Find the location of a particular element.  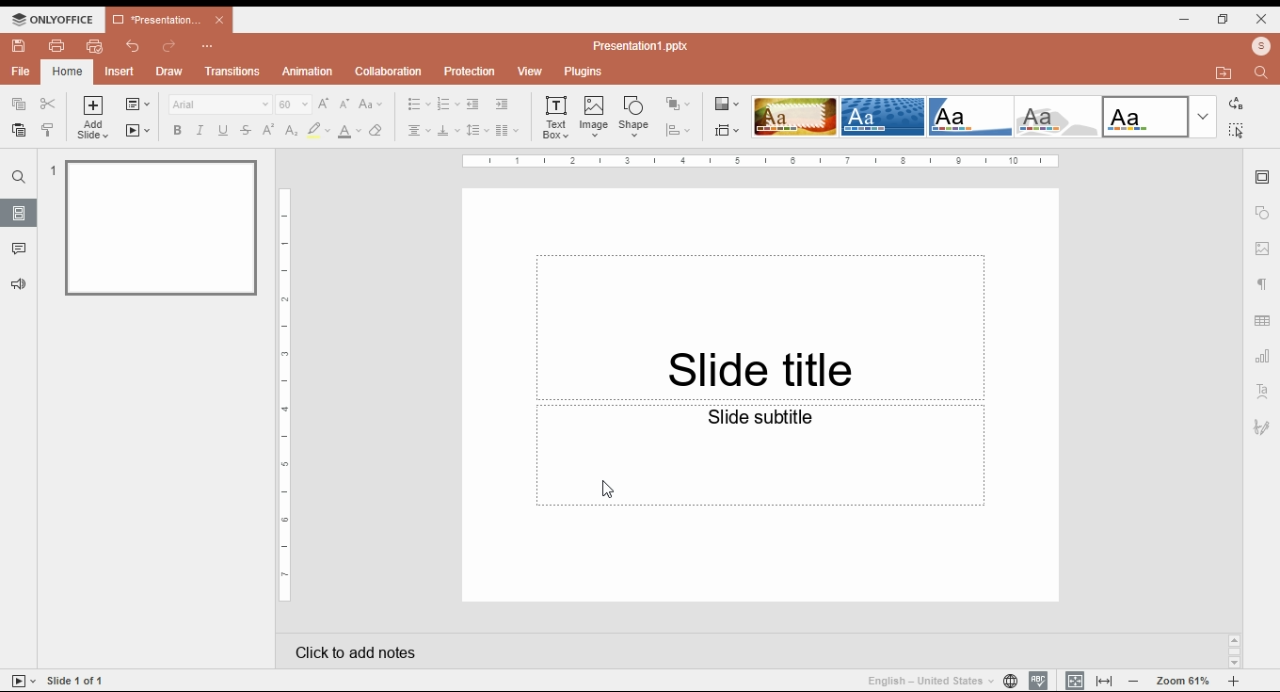

English - United States is located at coordinates (923, 680).